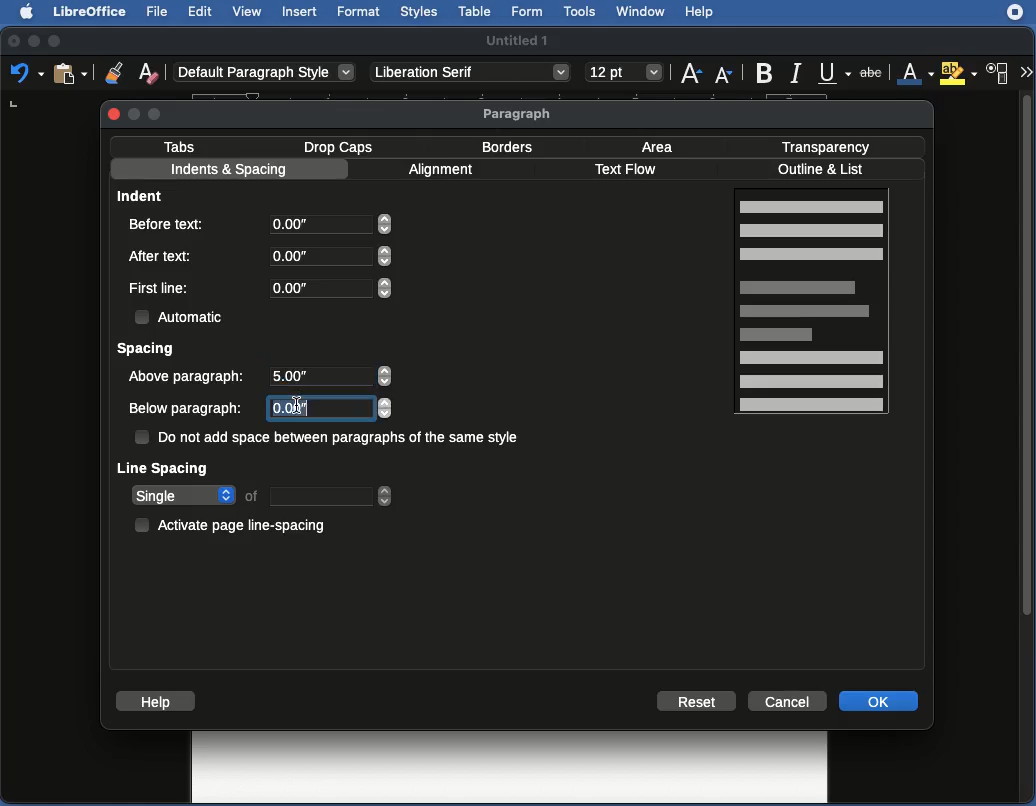  What do you see at coordinates (814, 304) in the screenshot?
I see `Page` at bounding box center [814, 304].